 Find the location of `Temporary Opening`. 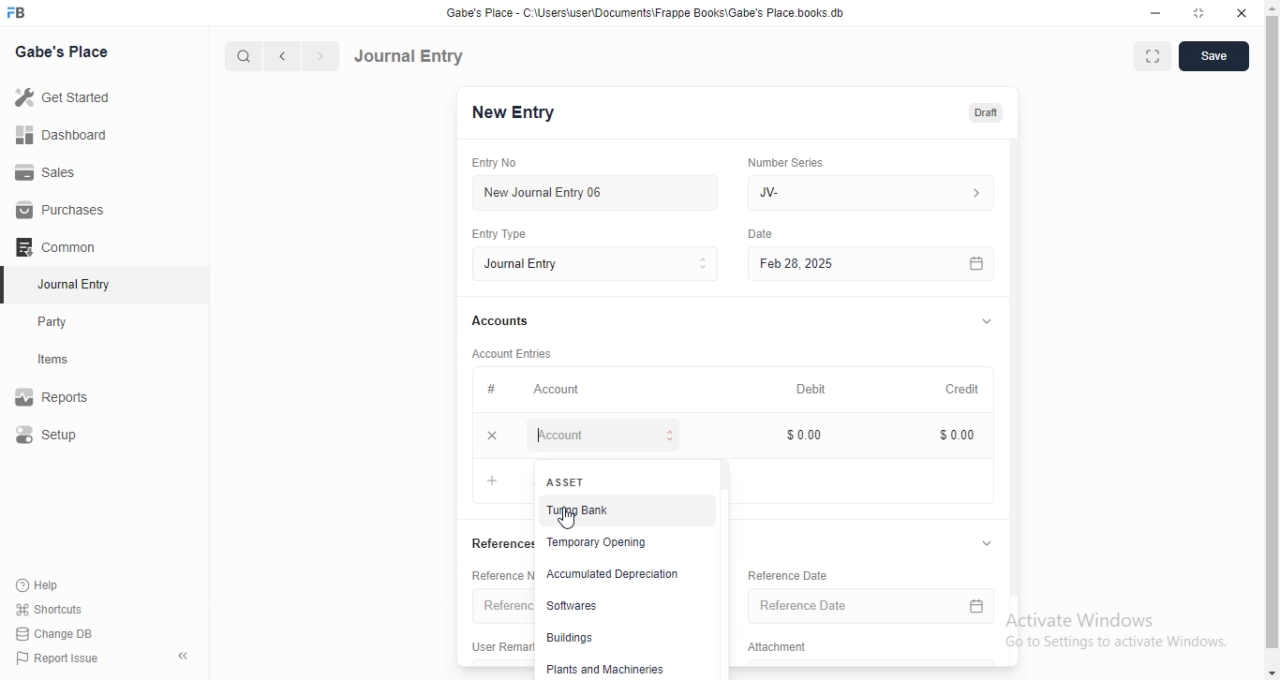

Temporary Opening is located at coordinates (623, 543).